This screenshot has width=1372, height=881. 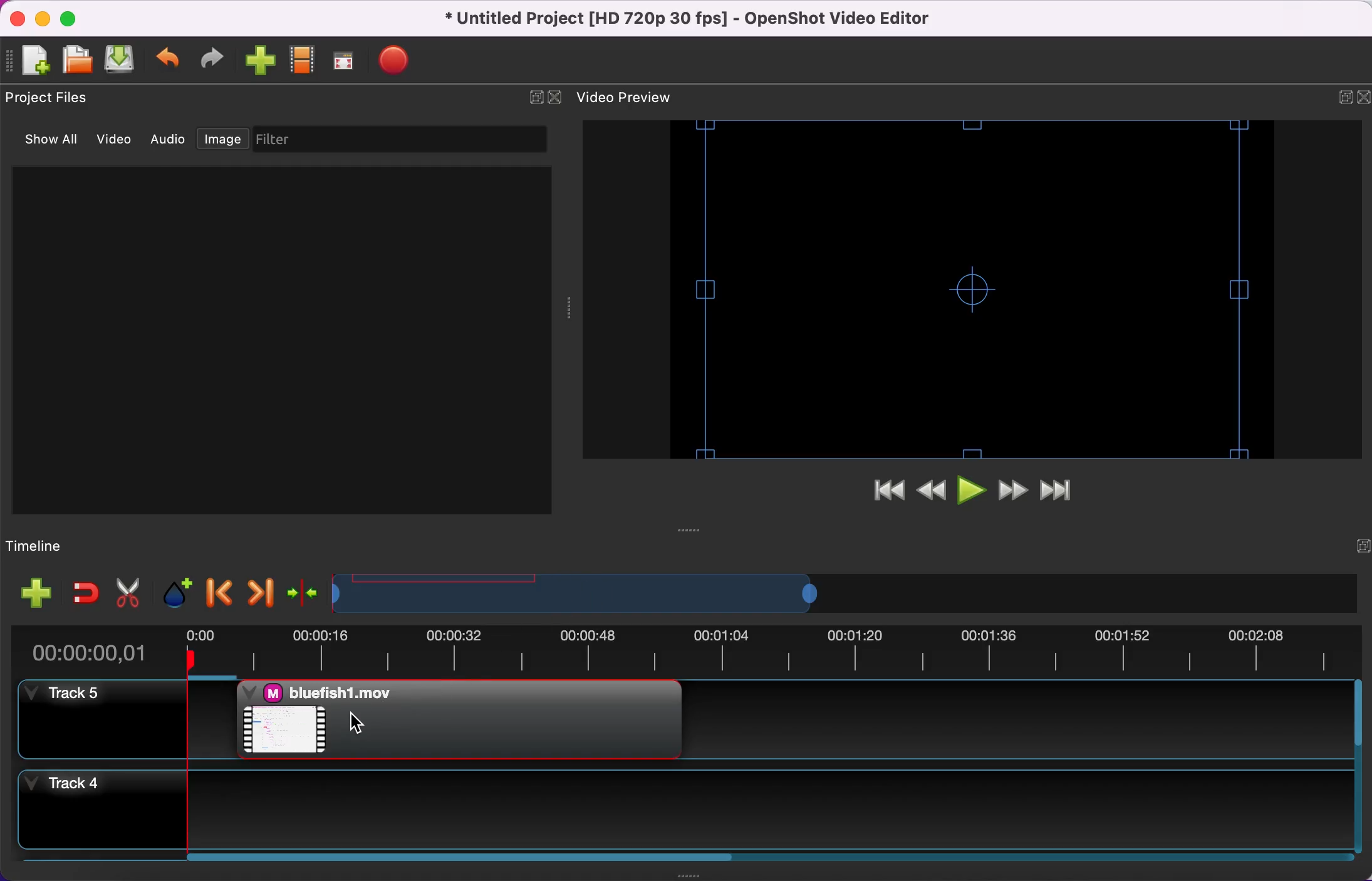 What do you see at coordinates (635, 96) in the screenshot?
I see `video preview` at bounding box center [635, 96].